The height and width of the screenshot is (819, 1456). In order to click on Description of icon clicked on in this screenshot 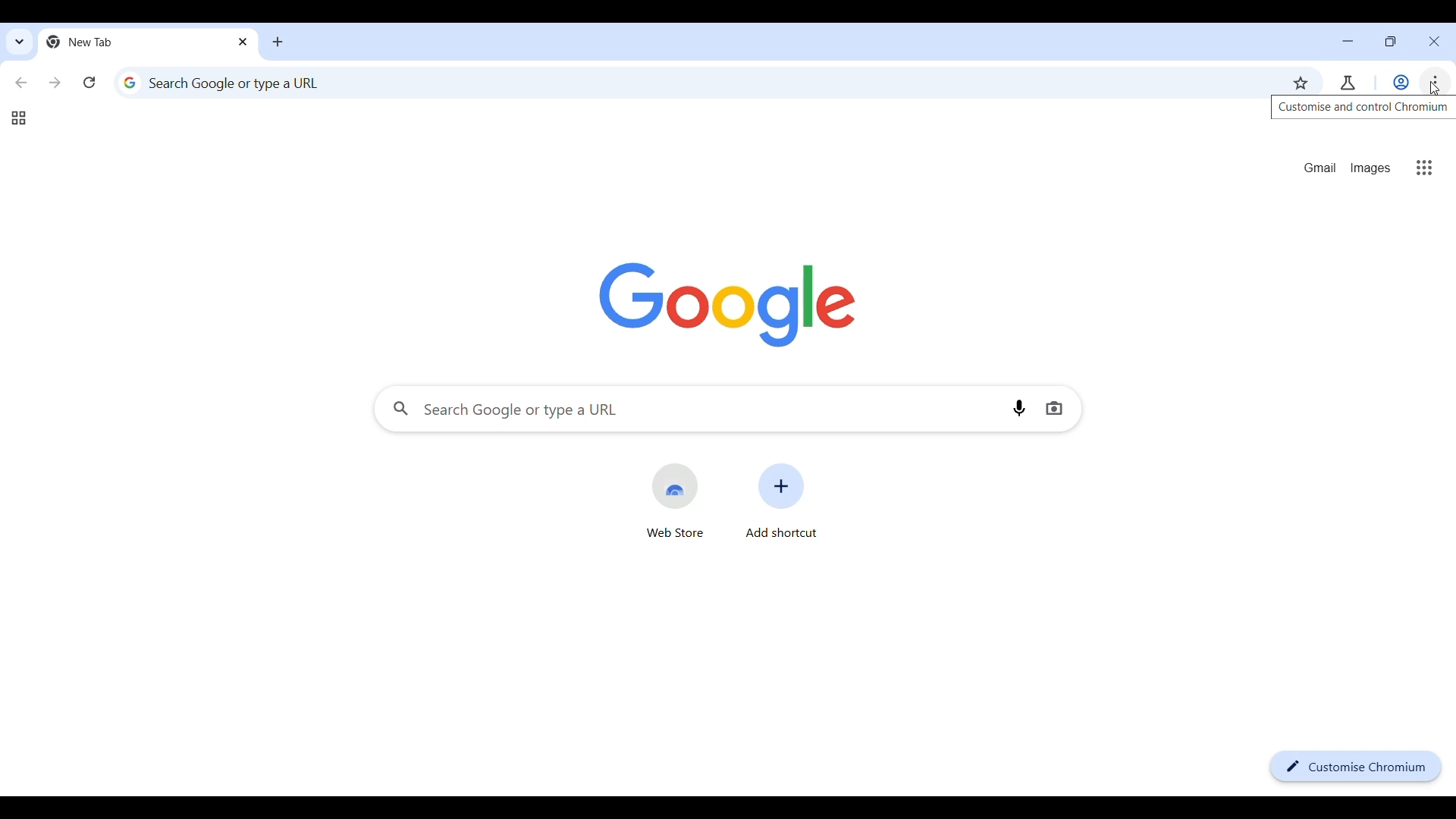, I will do `click(1365, 108)`.